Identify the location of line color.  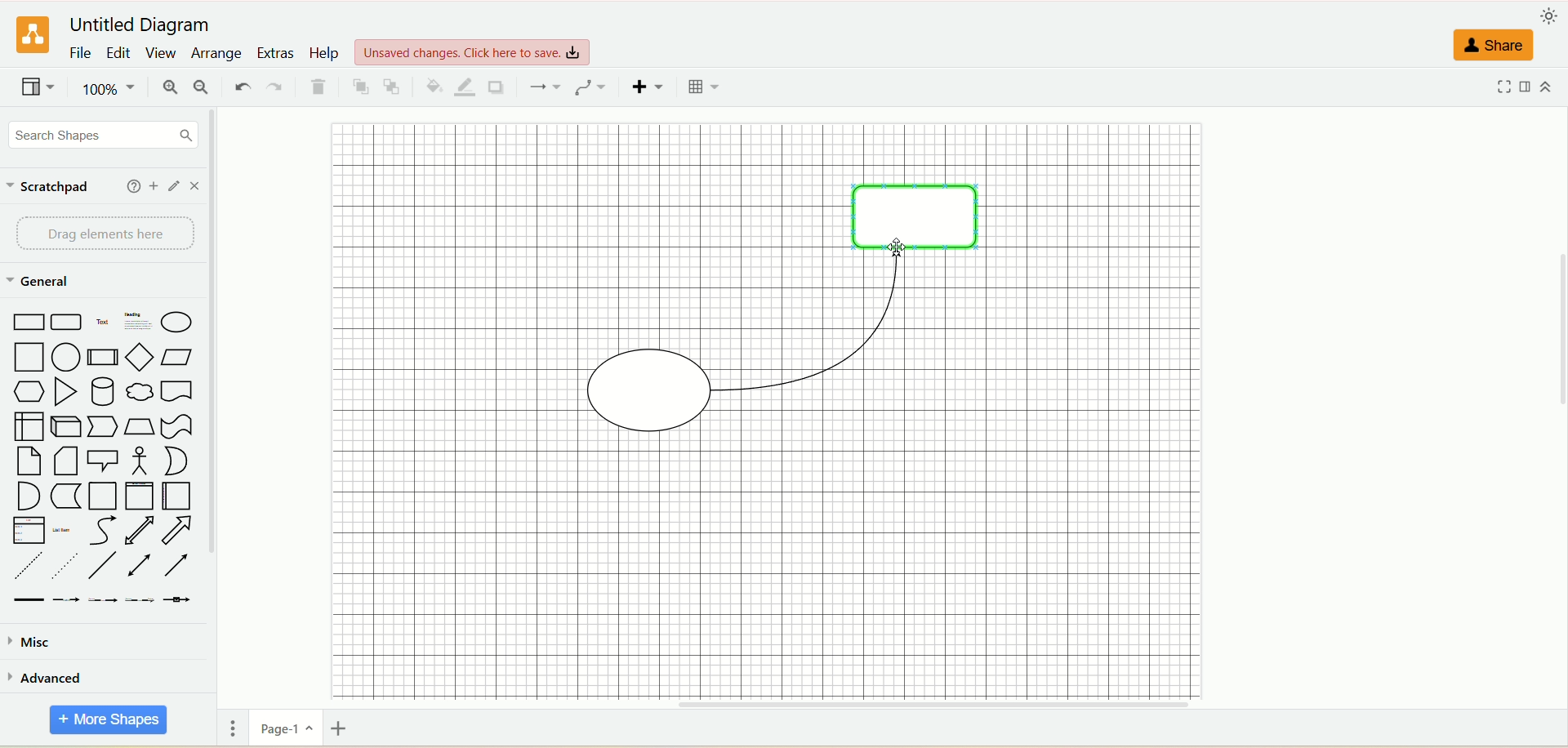
(463, 87).